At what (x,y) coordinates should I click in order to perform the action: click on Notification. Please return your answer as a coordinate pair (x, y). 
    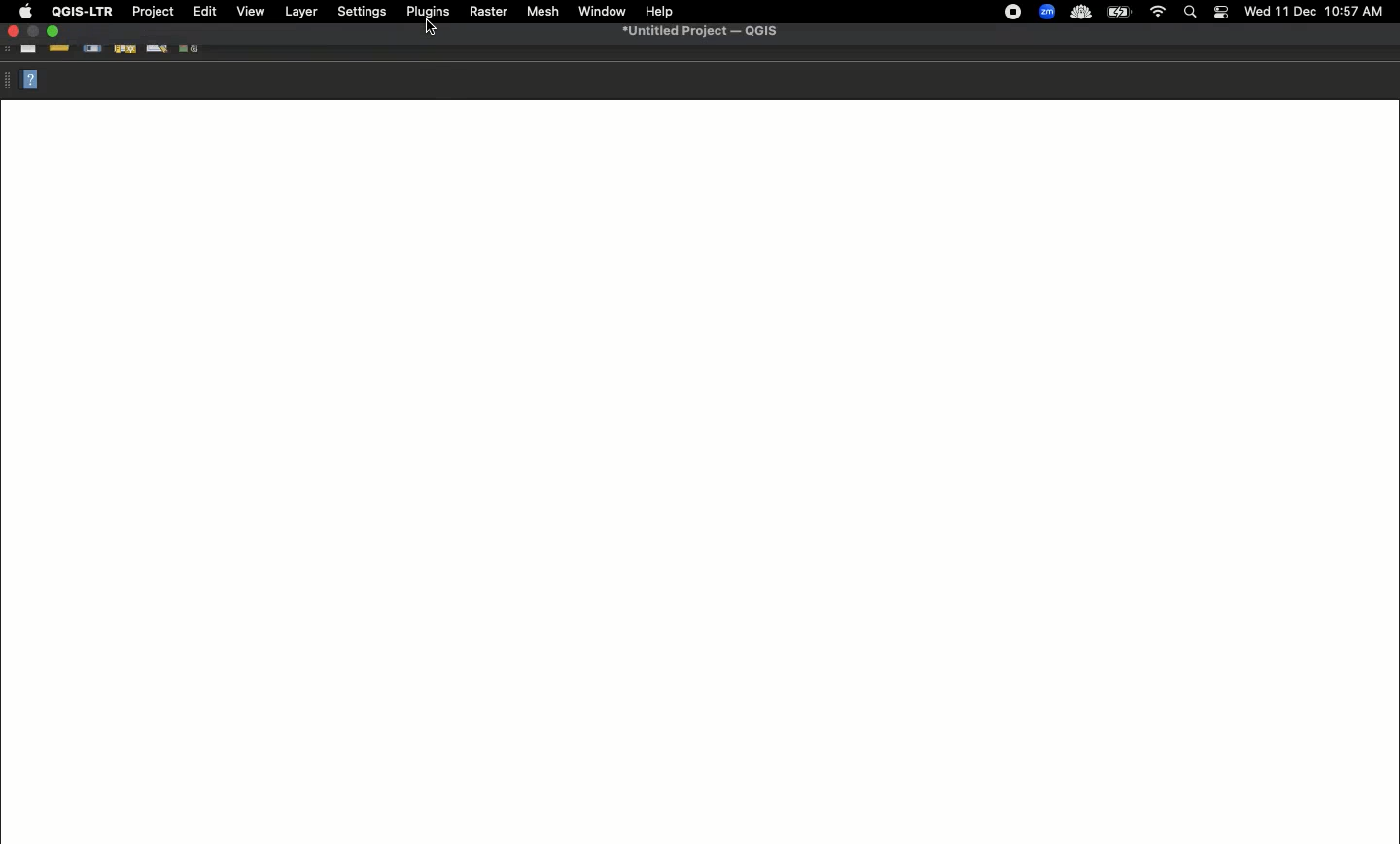
    Looking at the image, I should click on (1220, 11).